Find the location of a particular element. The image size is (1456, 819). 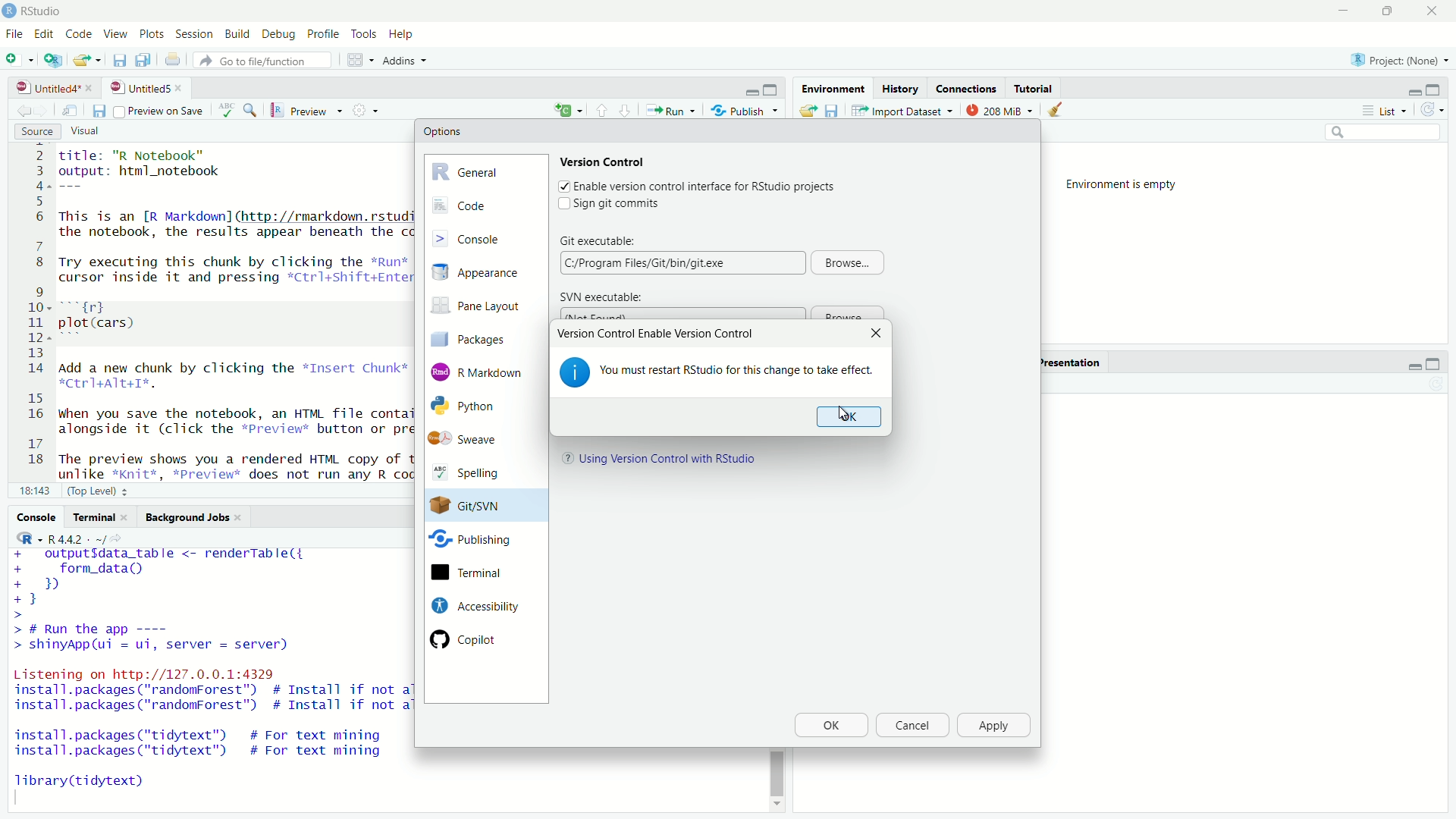

scrollbar down is located at coordinates (775, 808).